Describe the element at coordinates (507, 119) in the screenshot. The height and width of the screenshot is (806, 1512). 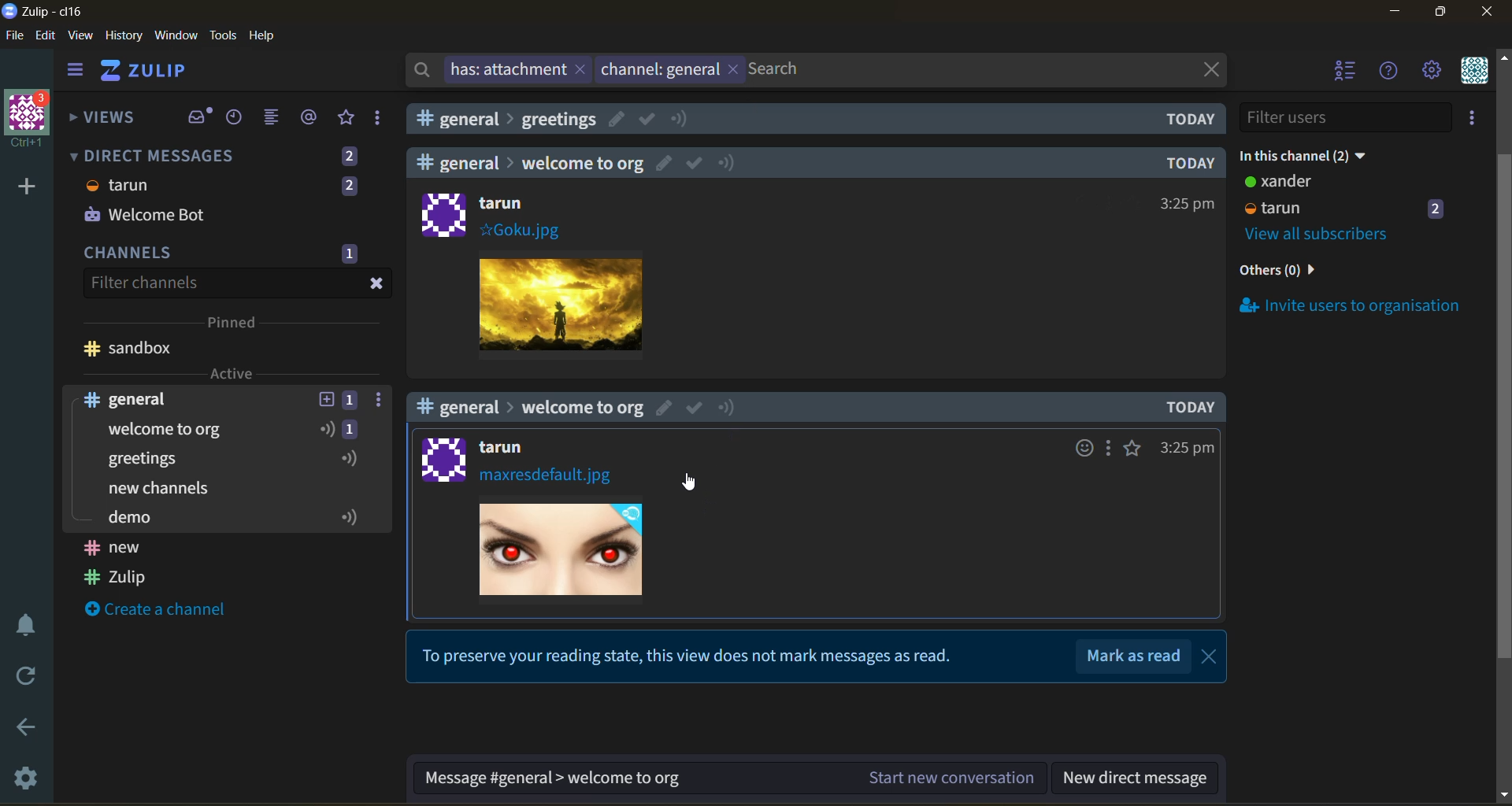
I see `# general>greetings` at that location.